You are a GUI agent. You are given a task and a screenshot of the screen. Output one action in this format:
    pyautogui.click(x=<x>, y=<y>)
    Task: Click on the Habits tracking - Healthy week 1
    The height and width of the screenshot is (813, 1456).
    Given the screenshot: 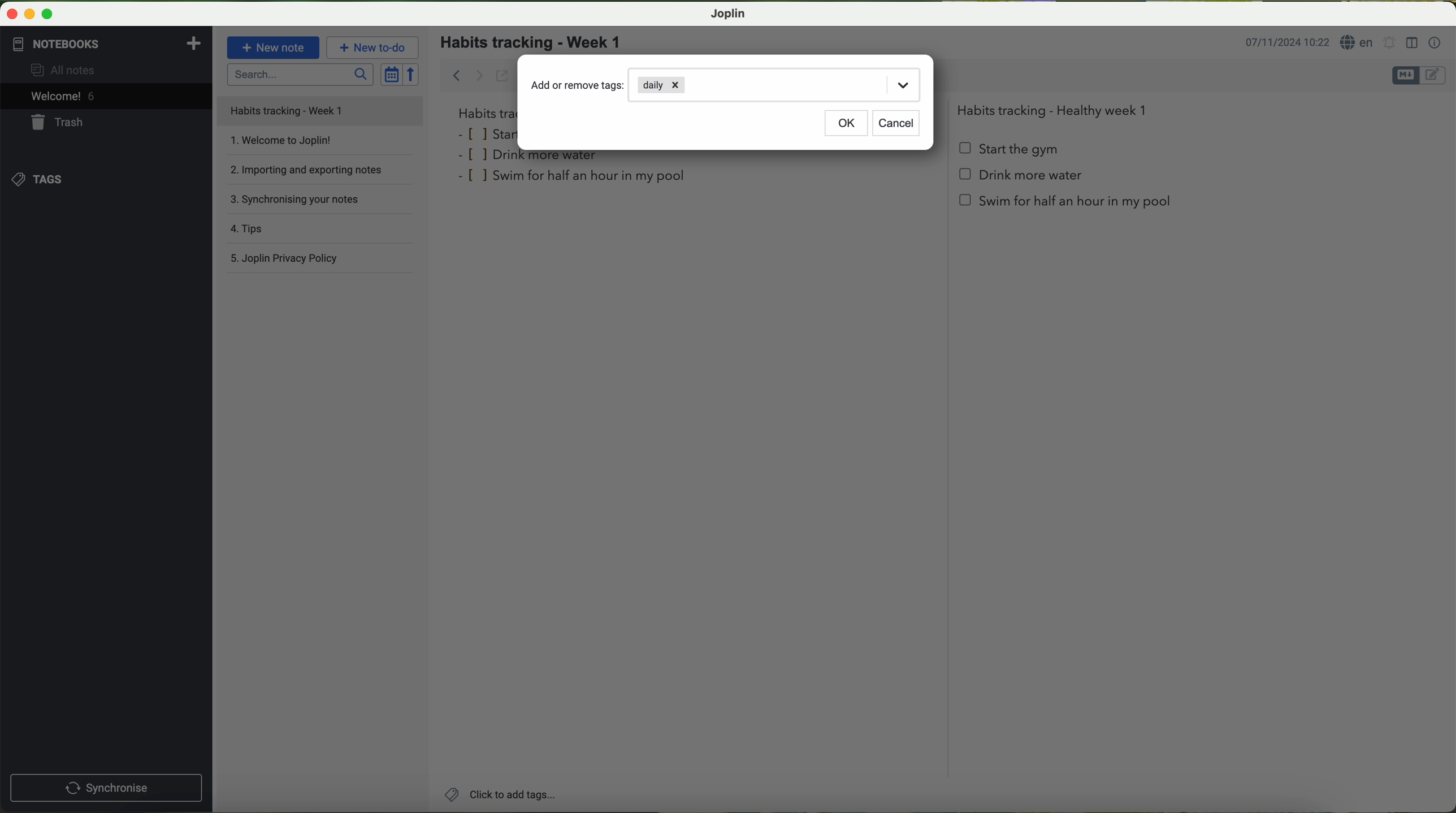 What is the action you would take?
    pyautogui.click(x=1057, y=108)
    